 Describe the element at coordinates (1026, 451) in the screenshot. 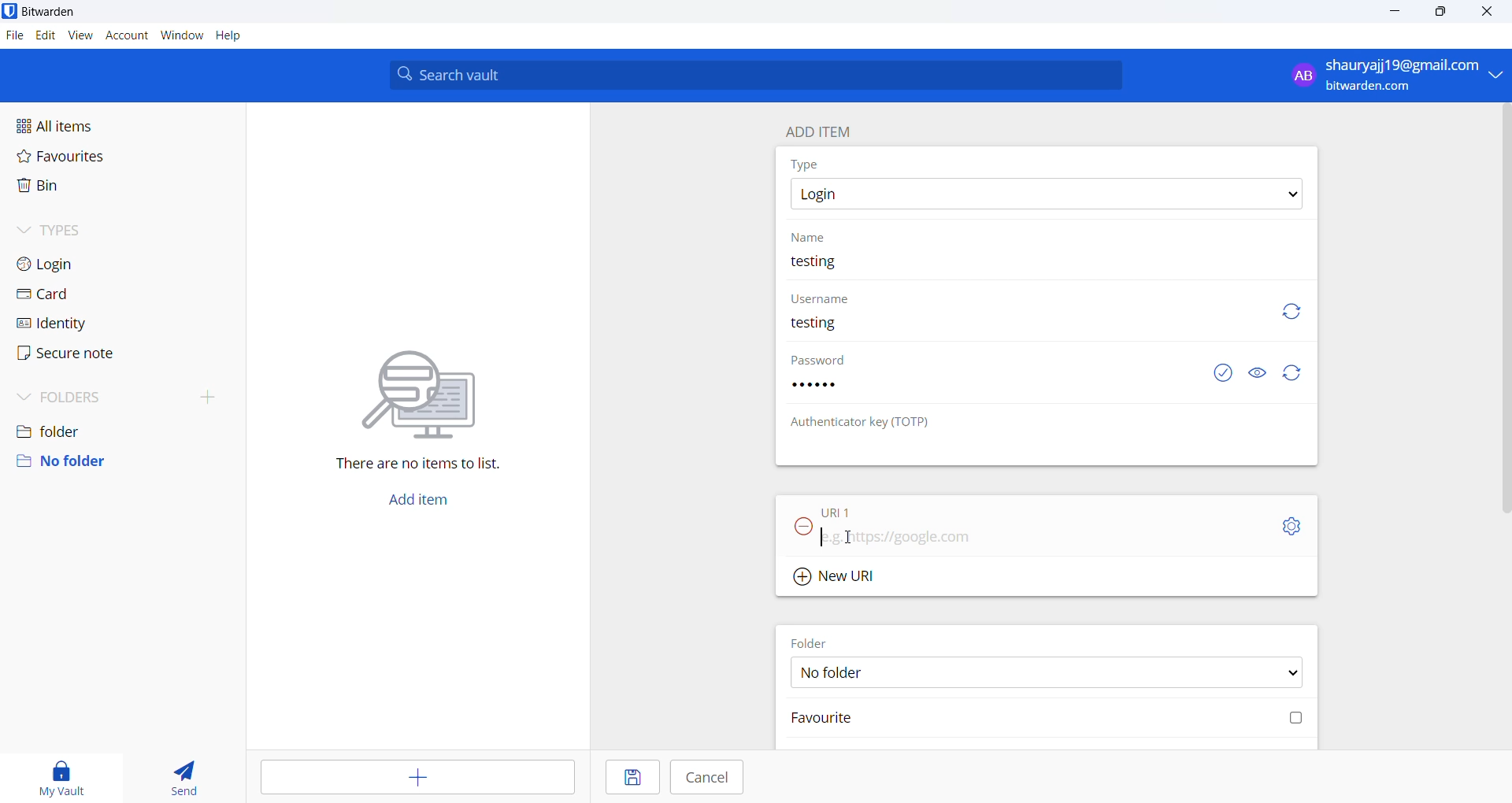

I see `OTP input box` at that location.